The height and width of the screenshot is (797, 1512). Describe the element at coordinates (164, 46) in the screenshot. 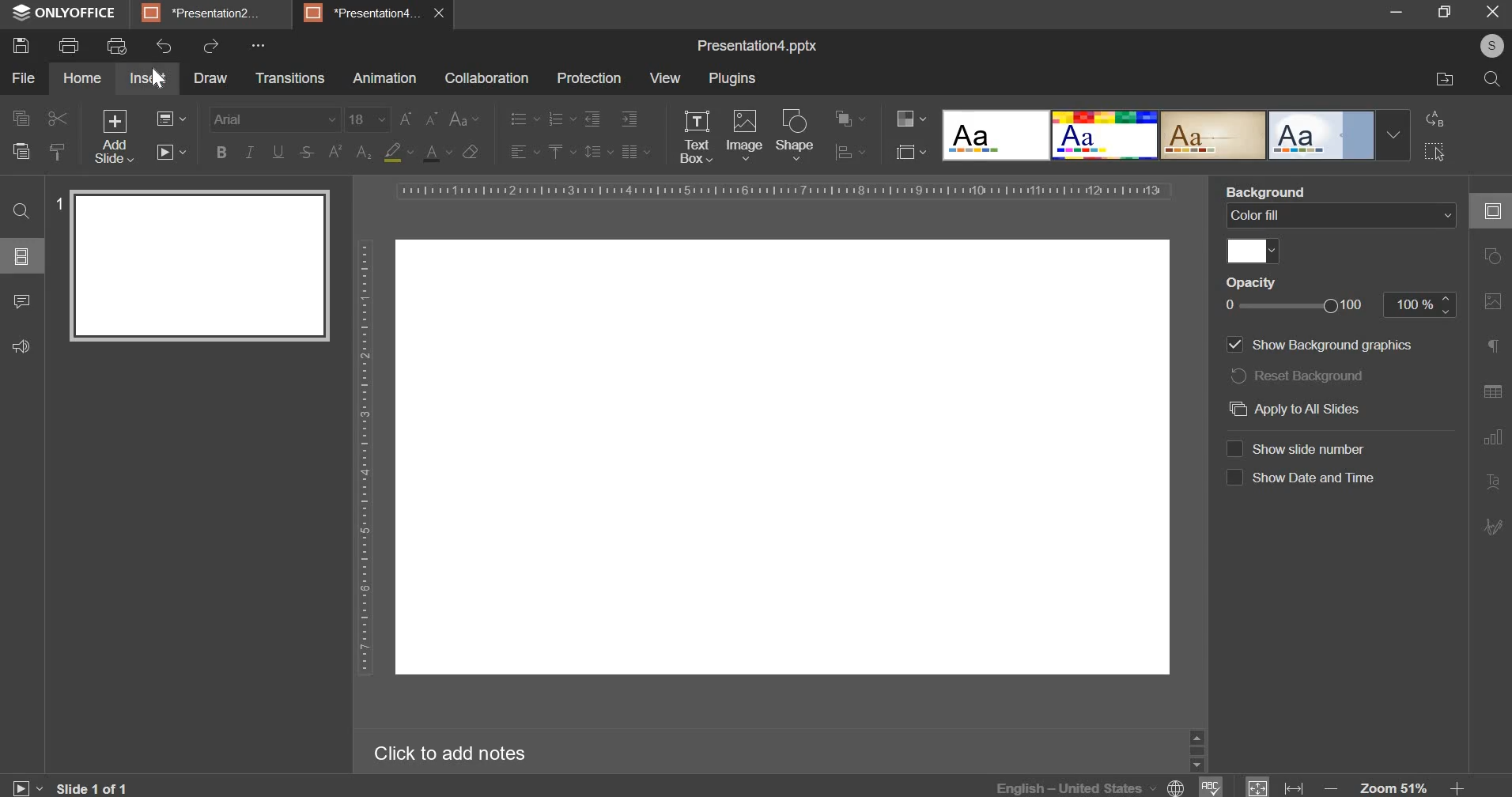

I see `undo` at that location.